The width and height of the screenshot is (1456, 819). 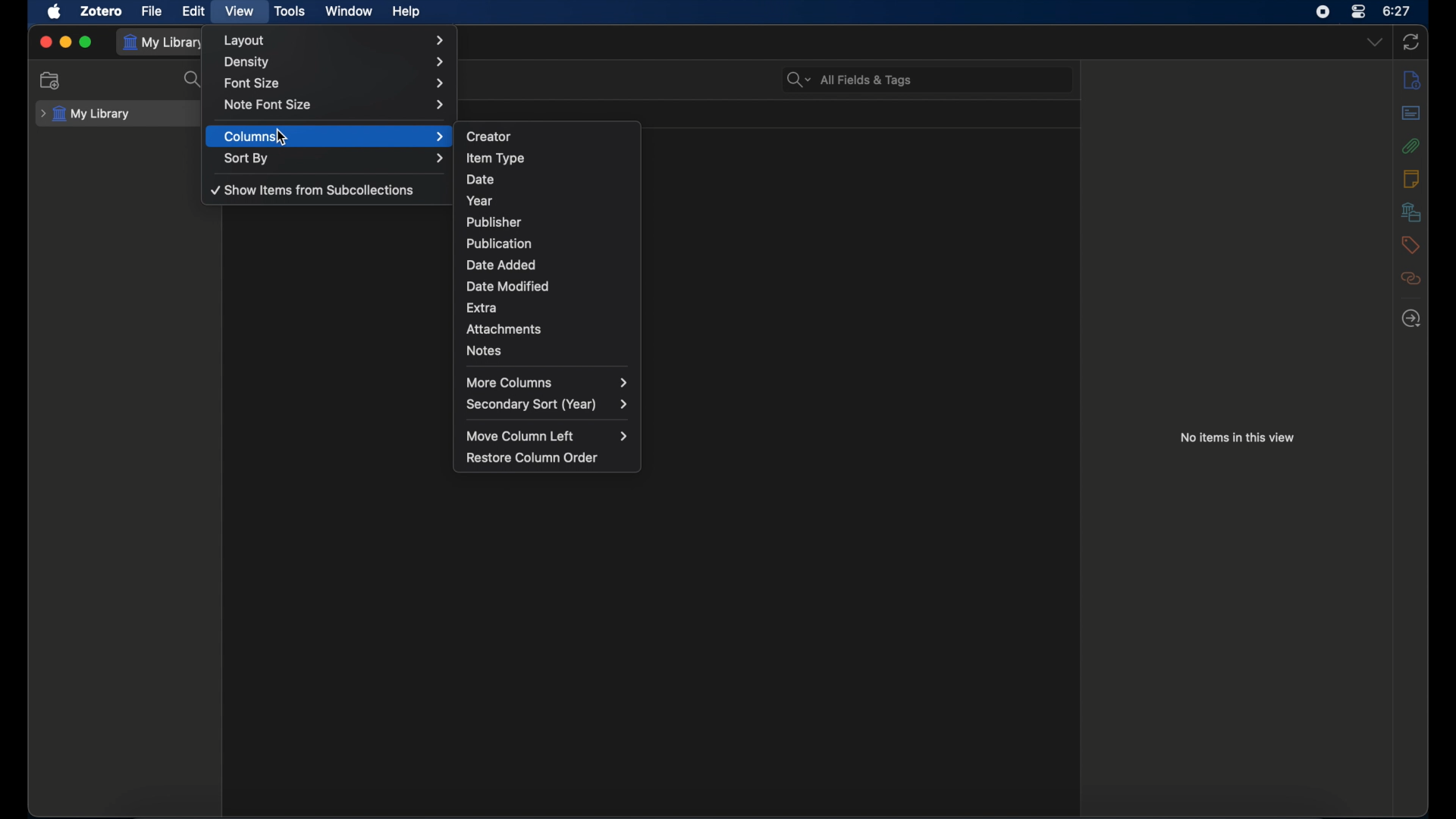 I want to click on sort by, so click(x=335, y=158).